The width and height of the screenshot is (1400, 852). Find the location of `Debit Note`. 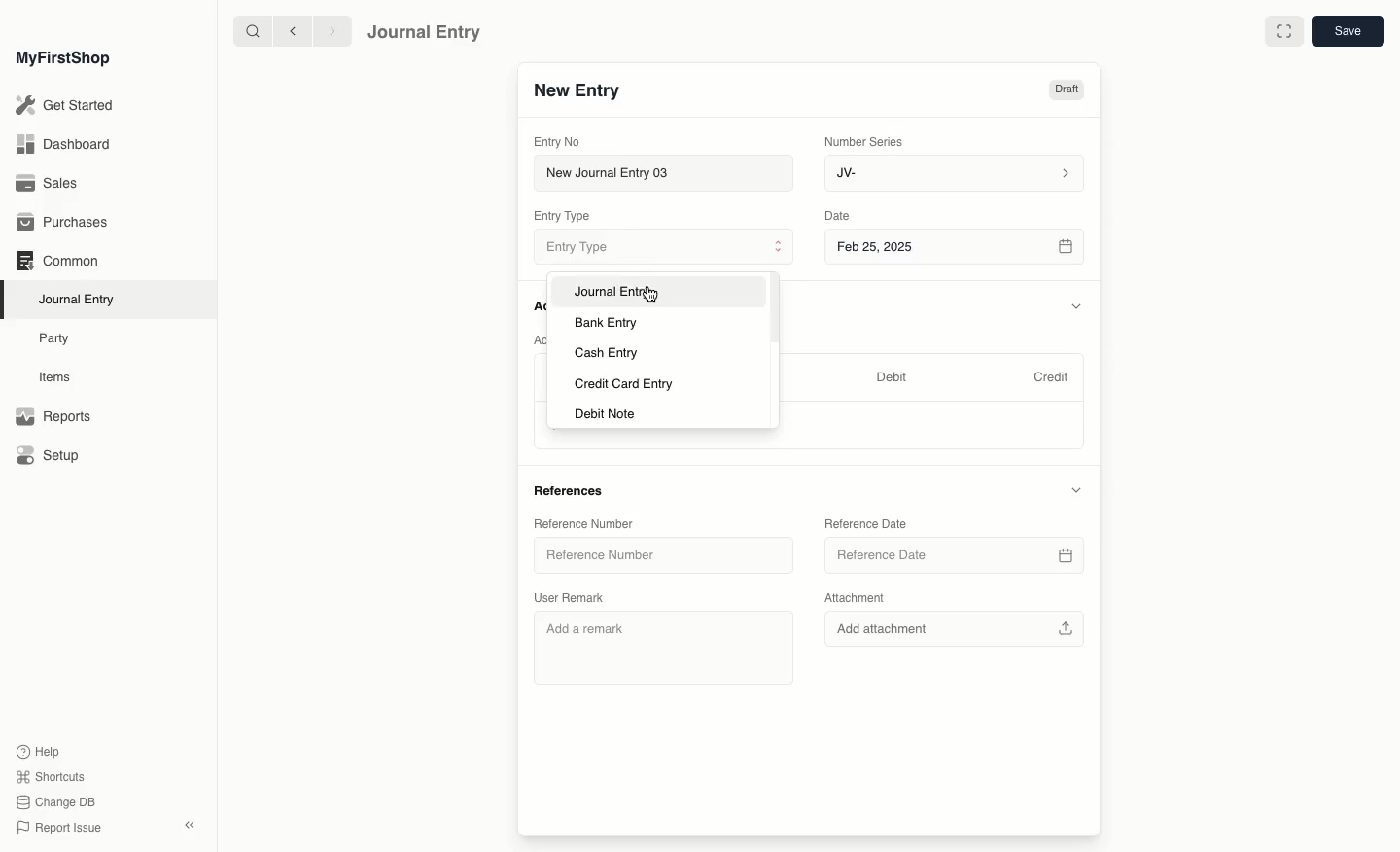

Debit Note is located at coordinates (606, 413).